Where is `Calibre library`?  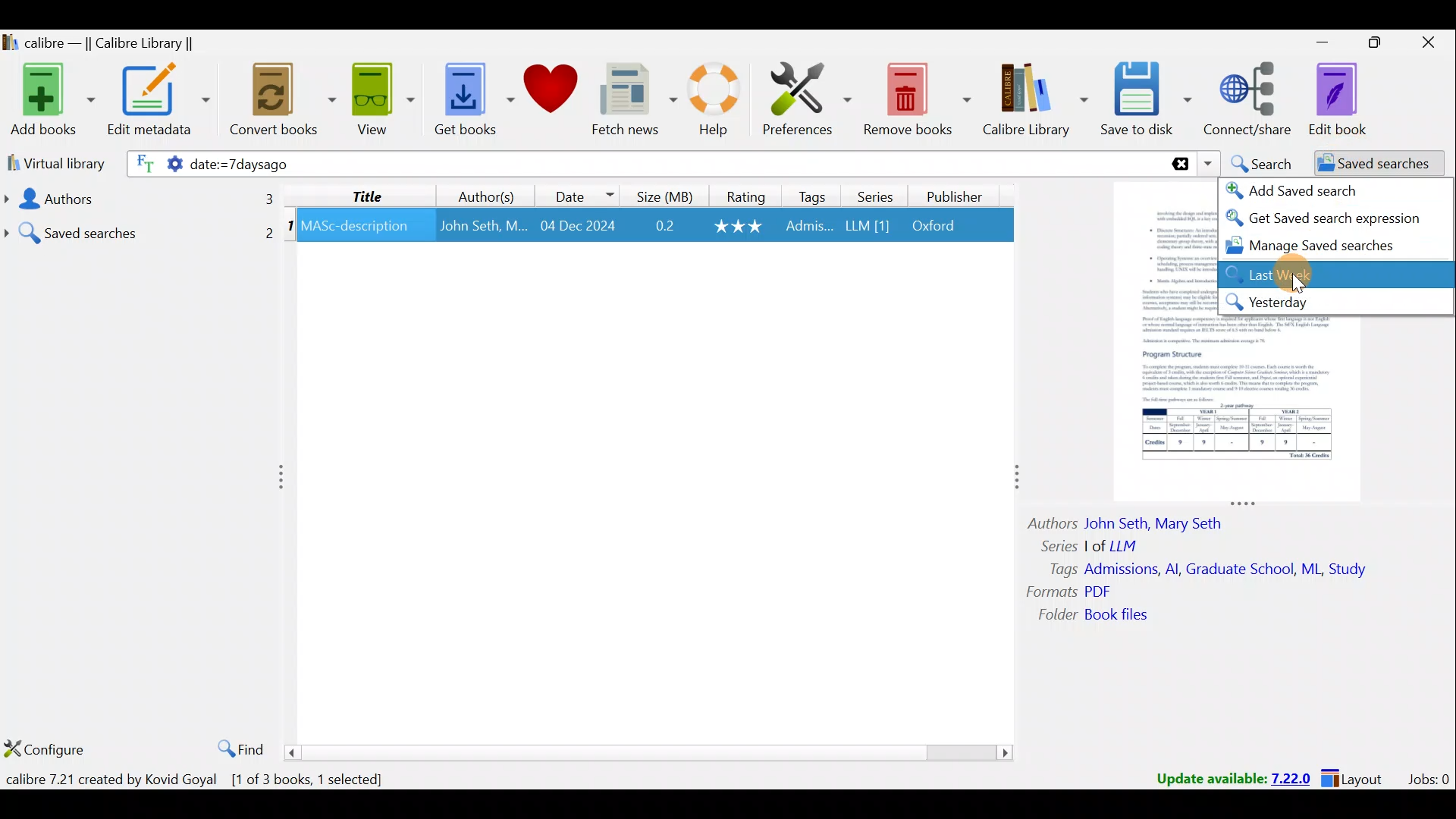 Calibre library is located at coordinates (1037, 101).